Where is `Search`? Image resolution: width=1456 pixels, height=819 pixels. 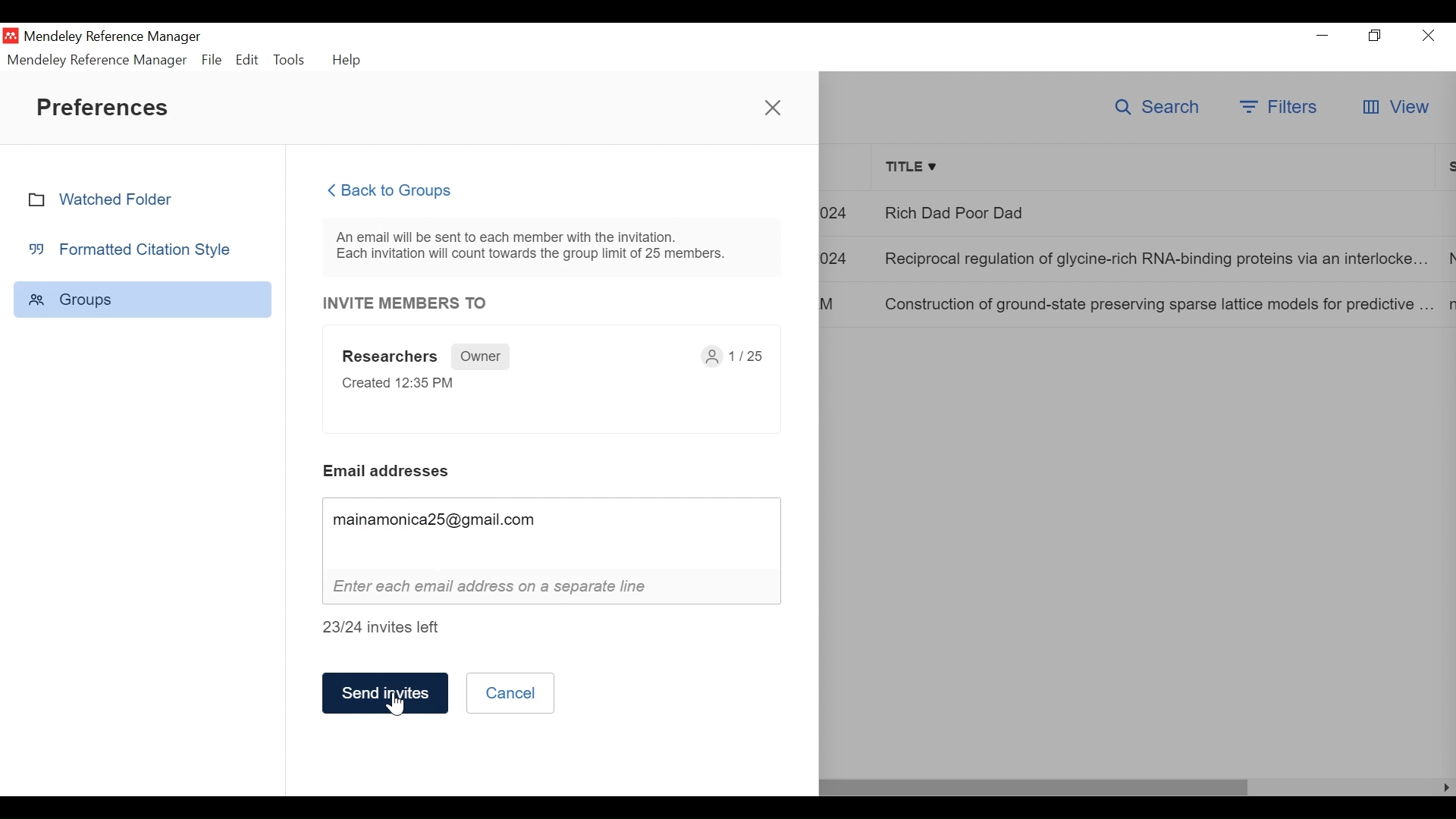 Search is located at coordinates (1154, 108).